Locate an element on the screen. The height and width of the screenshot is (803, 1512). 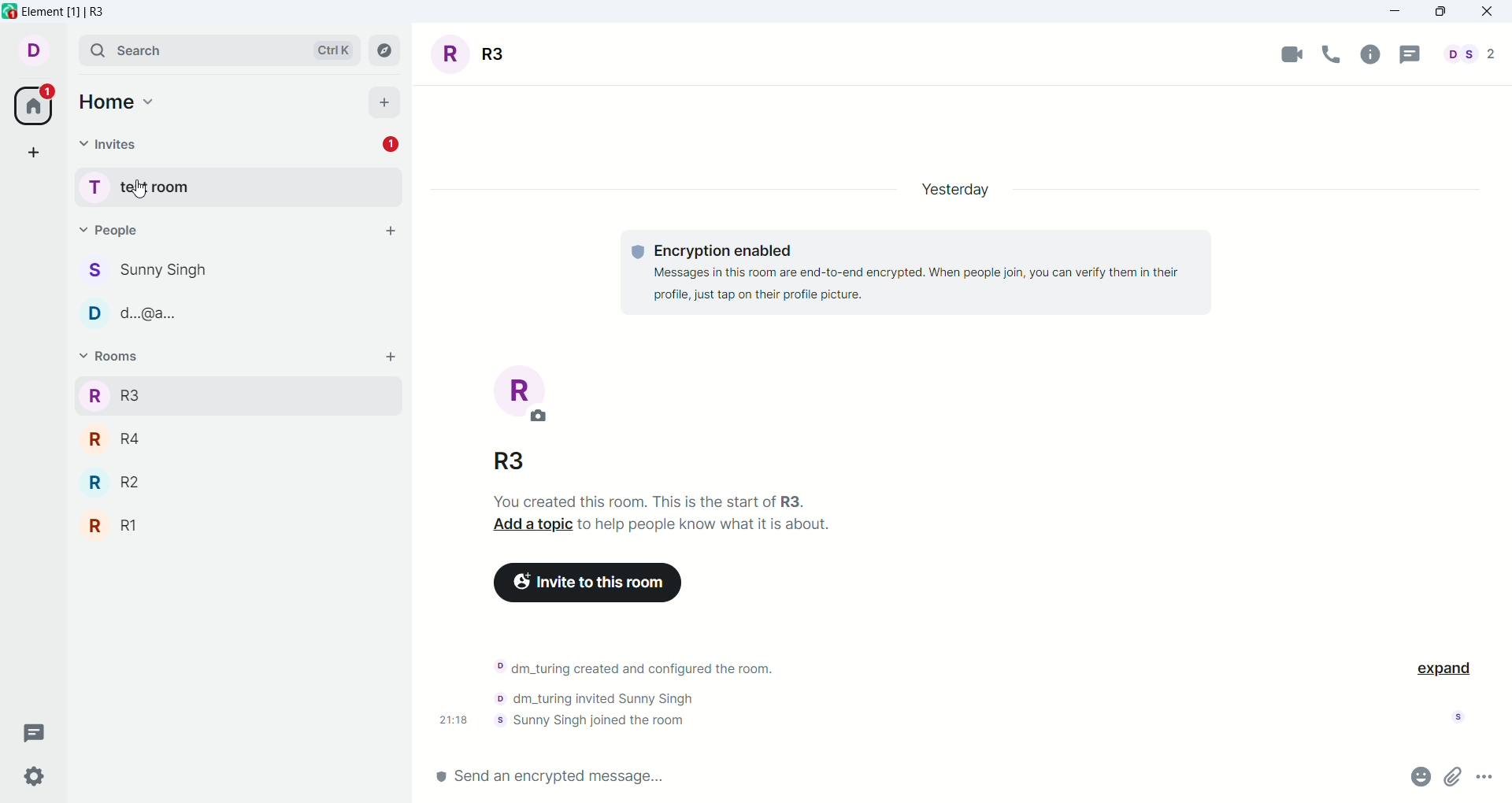
options is located at coordinates (1485, 776).